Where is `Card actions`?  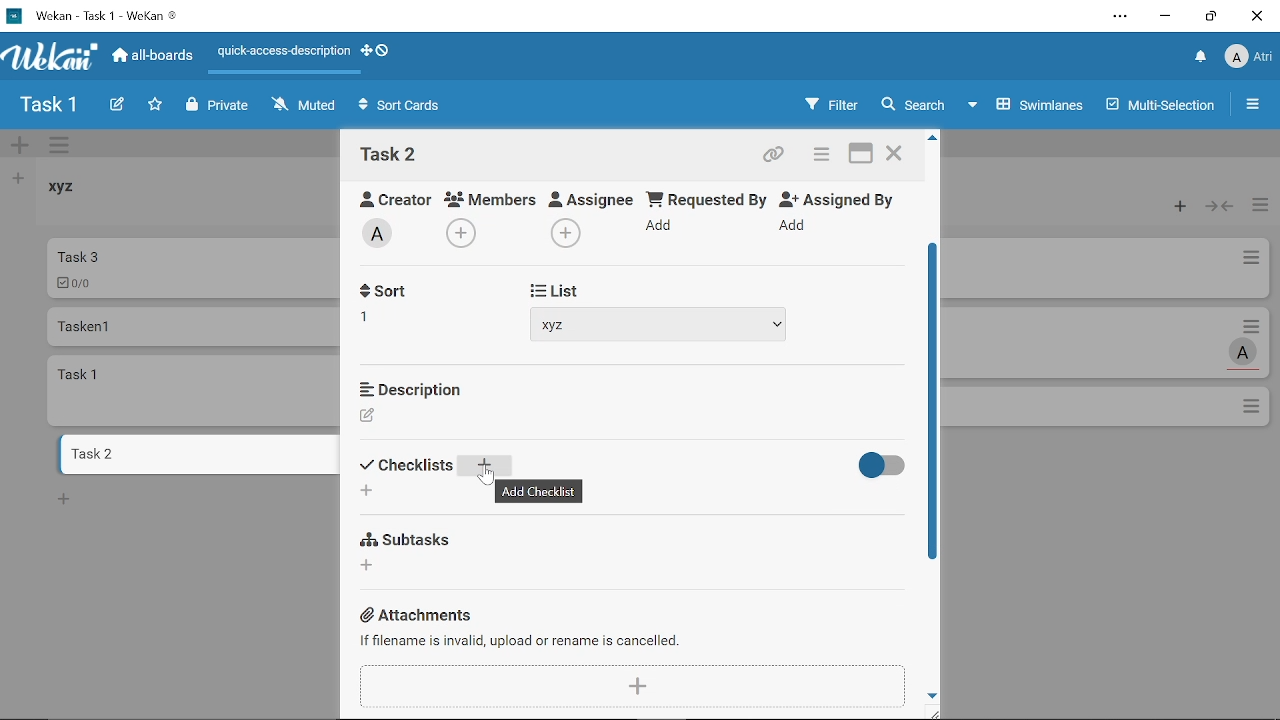 Card actions is located at coordinates (818, 157).